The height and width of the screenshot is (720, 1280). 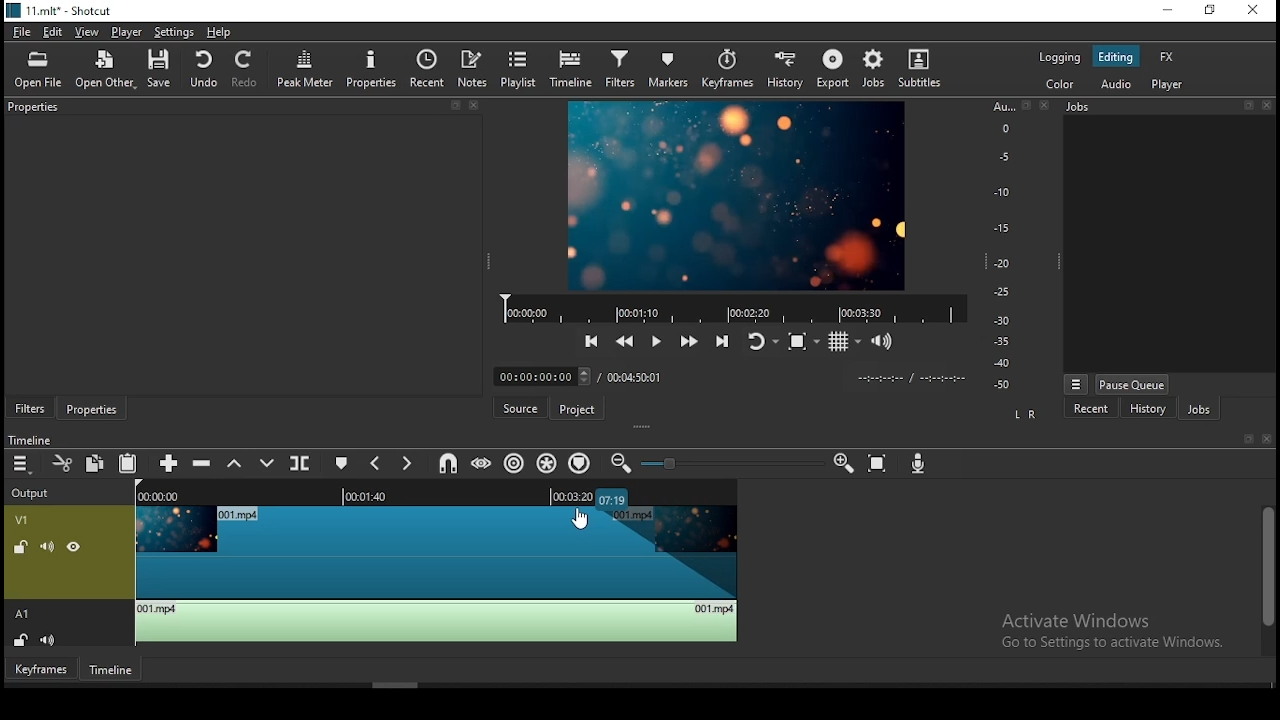 What do you see at coordinates (761, 342) in the screenshot?
I see `toggle player after looping` at bounding box center [761, 342].